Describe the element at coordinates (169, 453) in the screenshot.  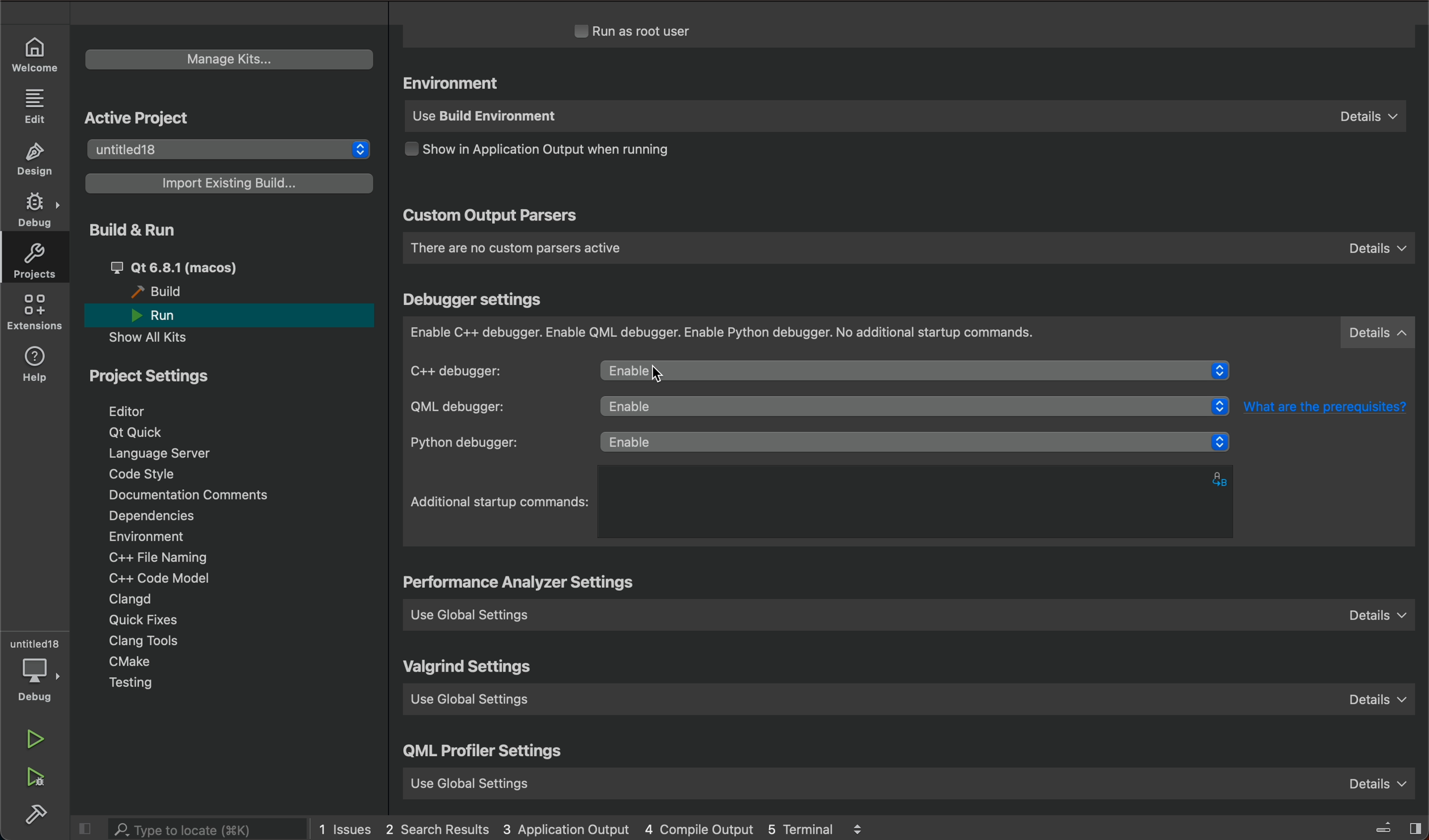
I see `language` at that location.